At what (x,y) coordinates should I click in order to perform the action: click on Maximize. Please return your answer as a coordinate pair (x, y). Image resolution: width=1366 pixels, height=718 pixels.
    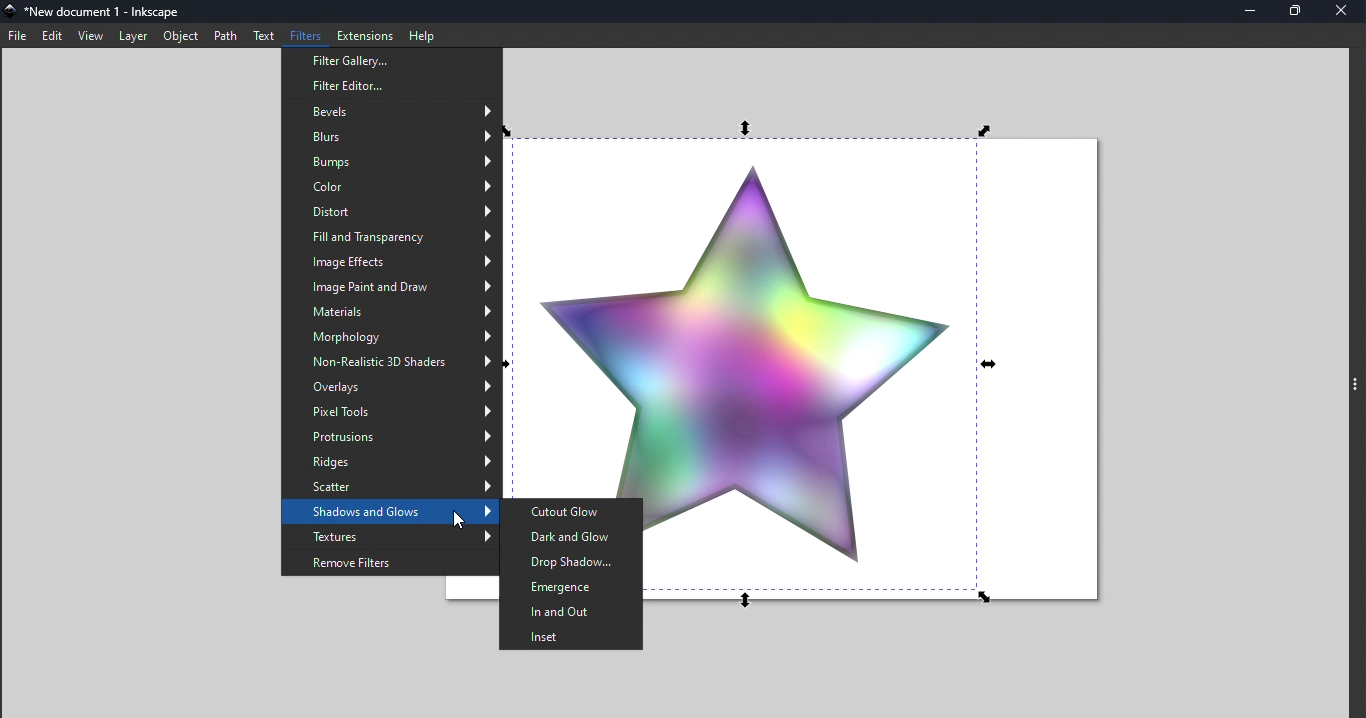
    Looking at the image, I should click on (1293, 12).